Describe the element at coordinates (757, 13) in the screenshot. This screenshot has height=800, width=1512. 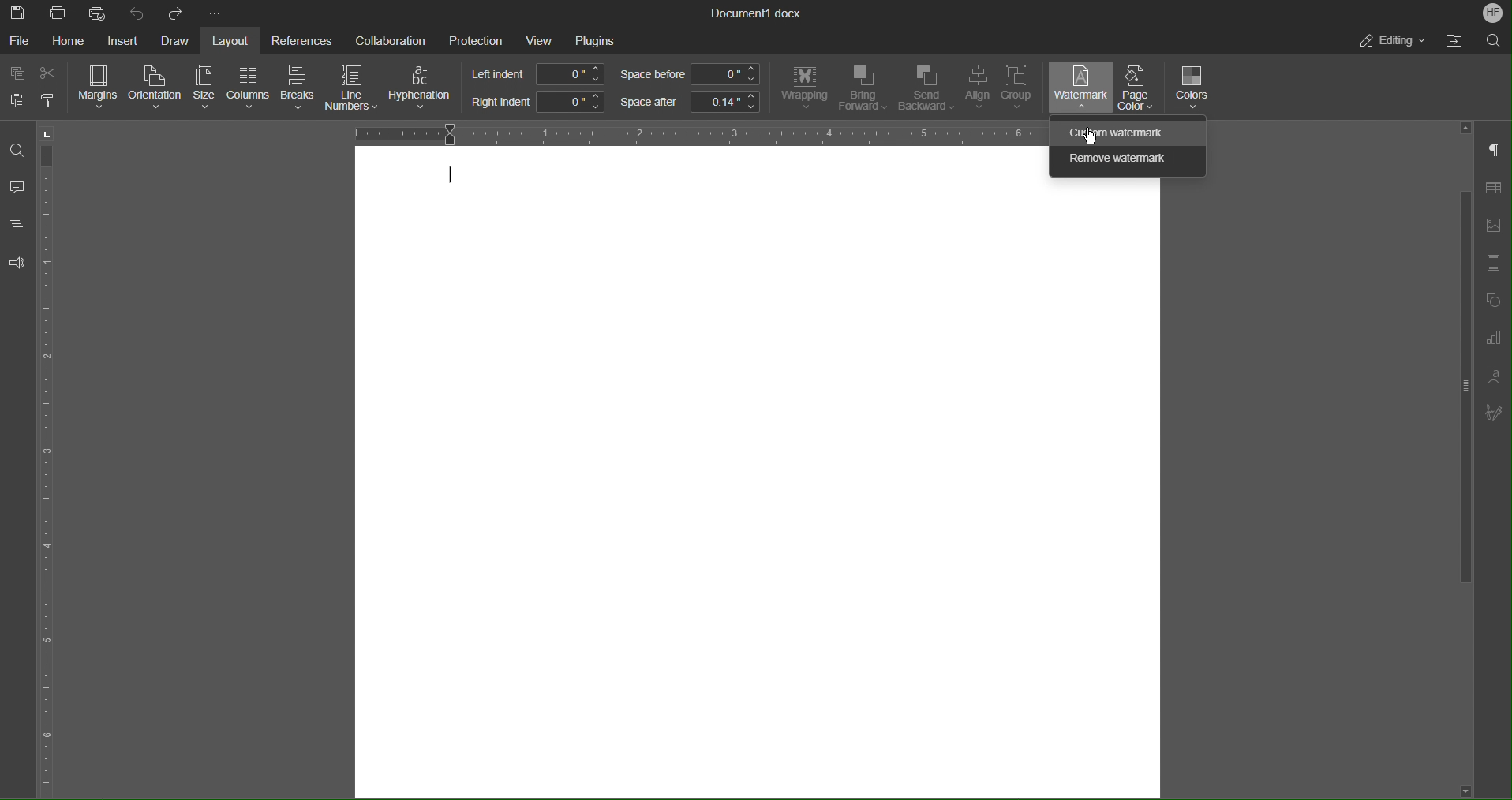
I see `Document Title` at that location.